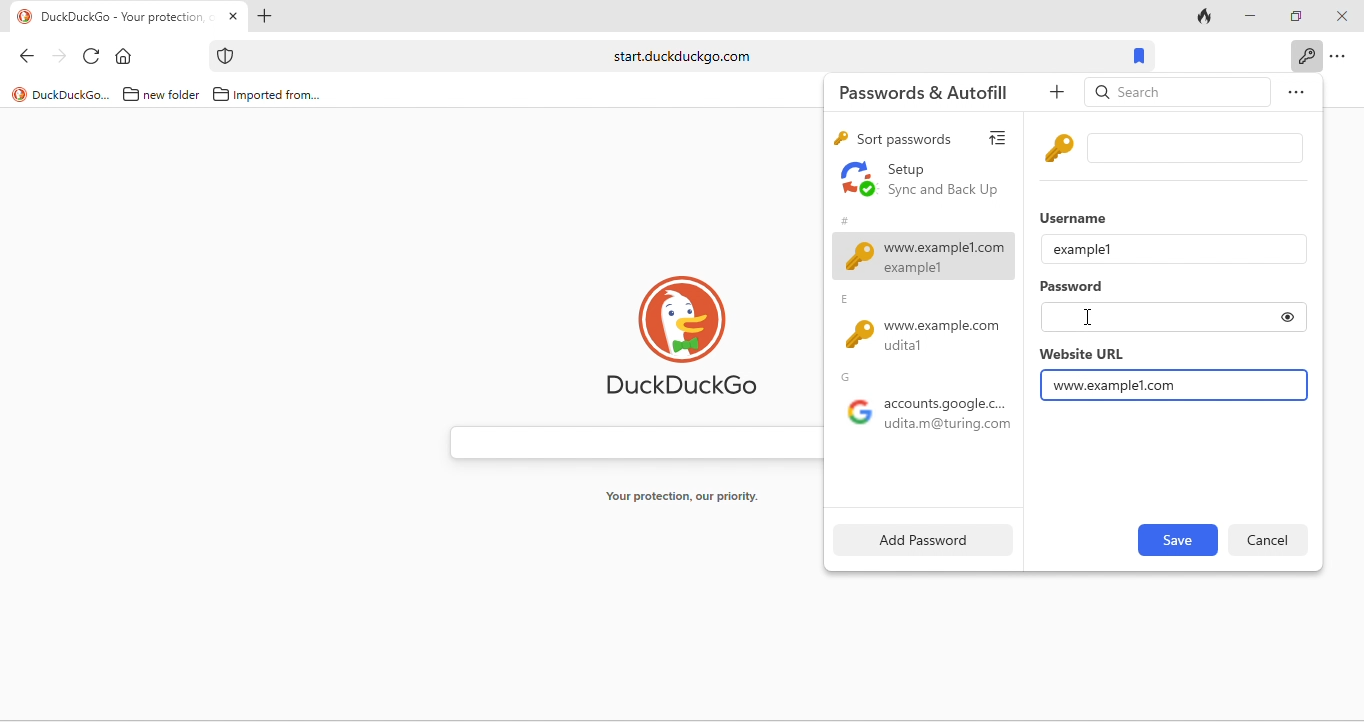 The height and width of the screenshot is (722, 1364). I want to click on minimize, so click(1247, 14).